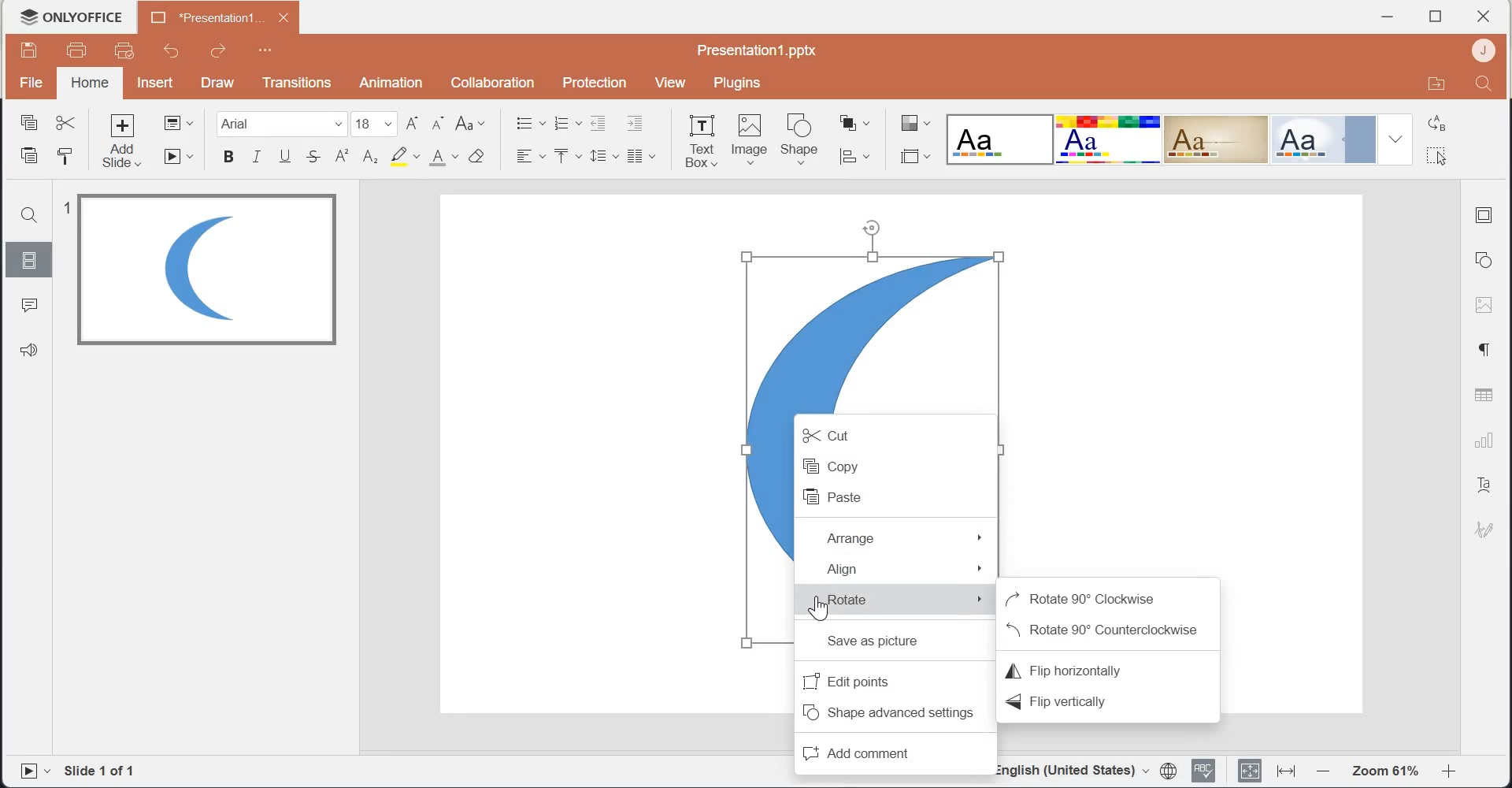 This screenshot has width=1512, height=788. What do you see at coordinates (470, 124) in the screenshot?
I see `Change case` at bounding box center [470, 124].